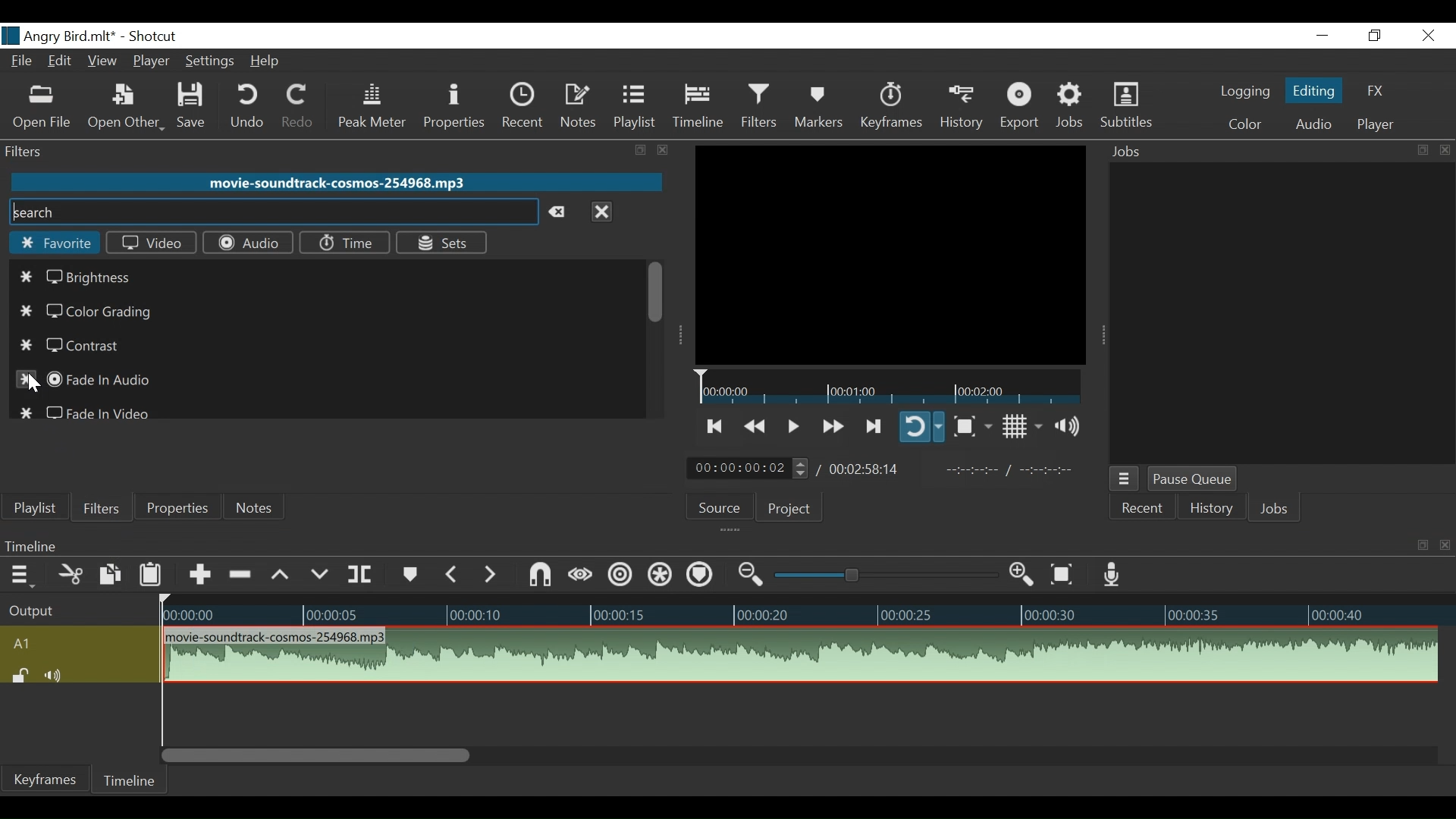 The width and height of the screenshot is (1456, 819). I want to click on Jobs Panel, so click(1278, 312).